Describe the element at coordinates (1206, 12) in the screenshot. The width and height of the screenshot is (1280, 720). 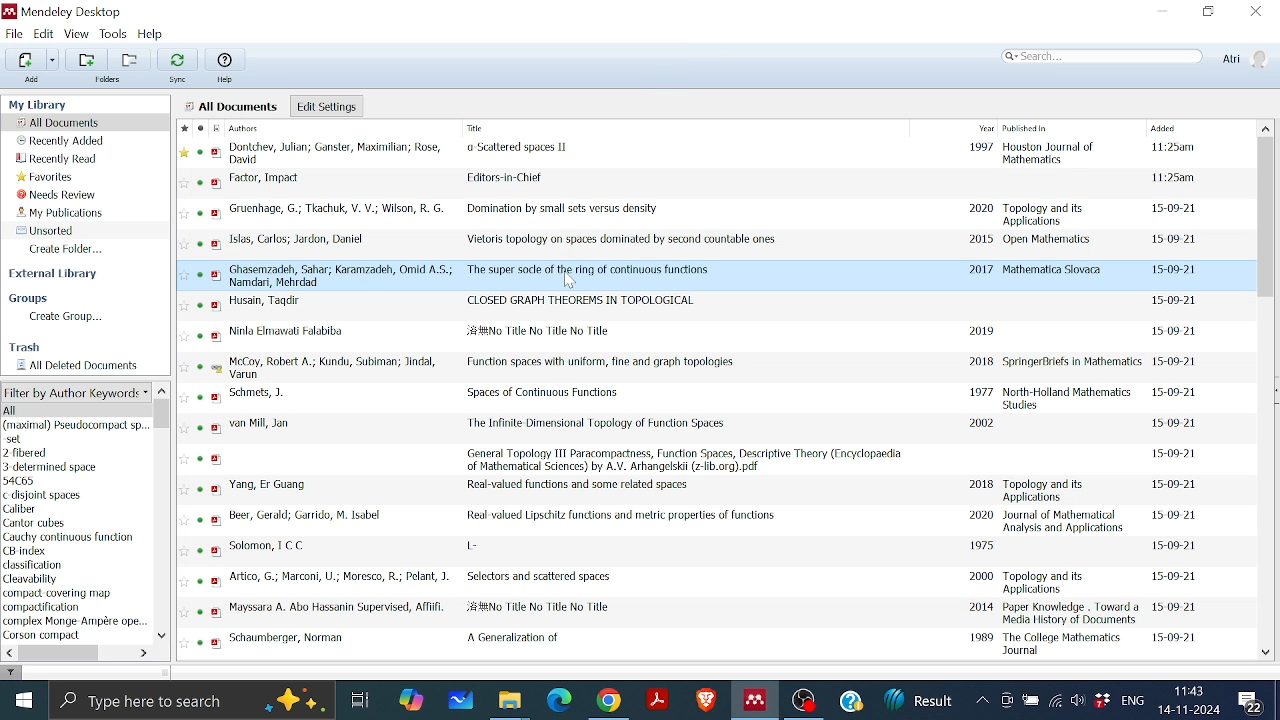
I see `Restore down` at that location.